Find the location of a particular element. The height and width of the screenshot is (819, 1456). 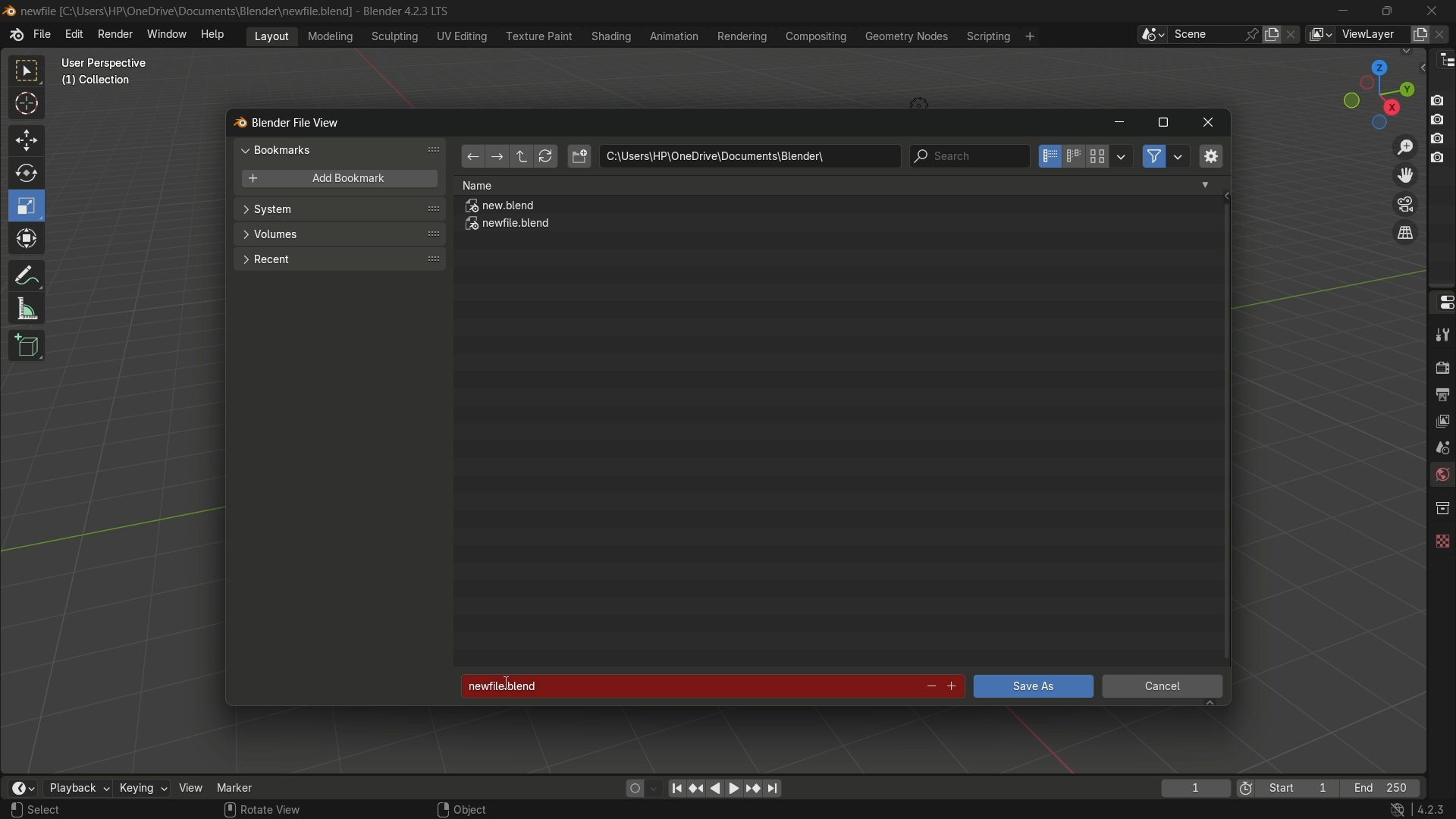

Object is located at coordinates (480, 805).